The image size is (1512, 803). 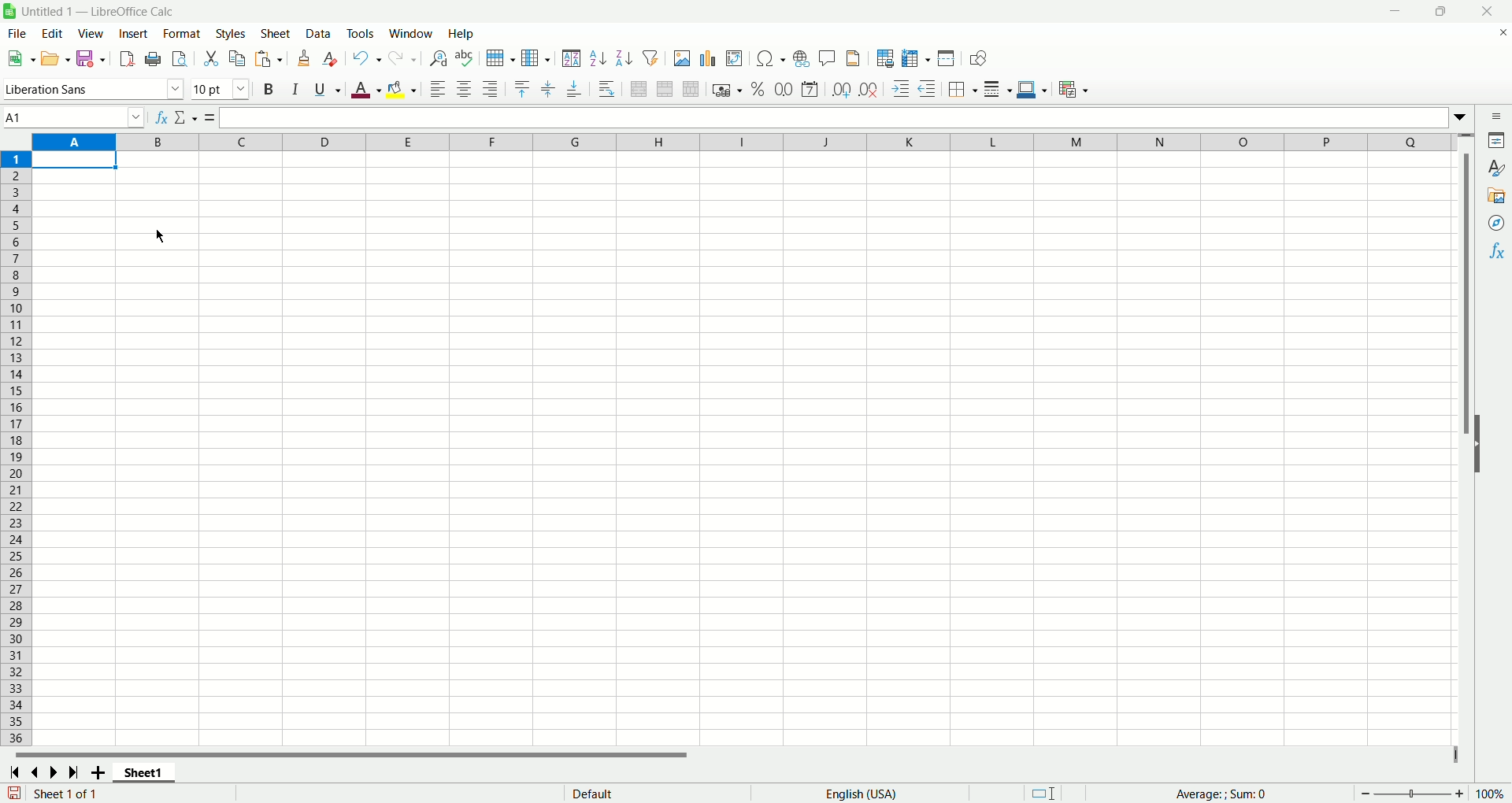 What do you see at coordinates (689, 89) in the screenshot?
I see `unmerge cells` at bounding box center [689, 89].